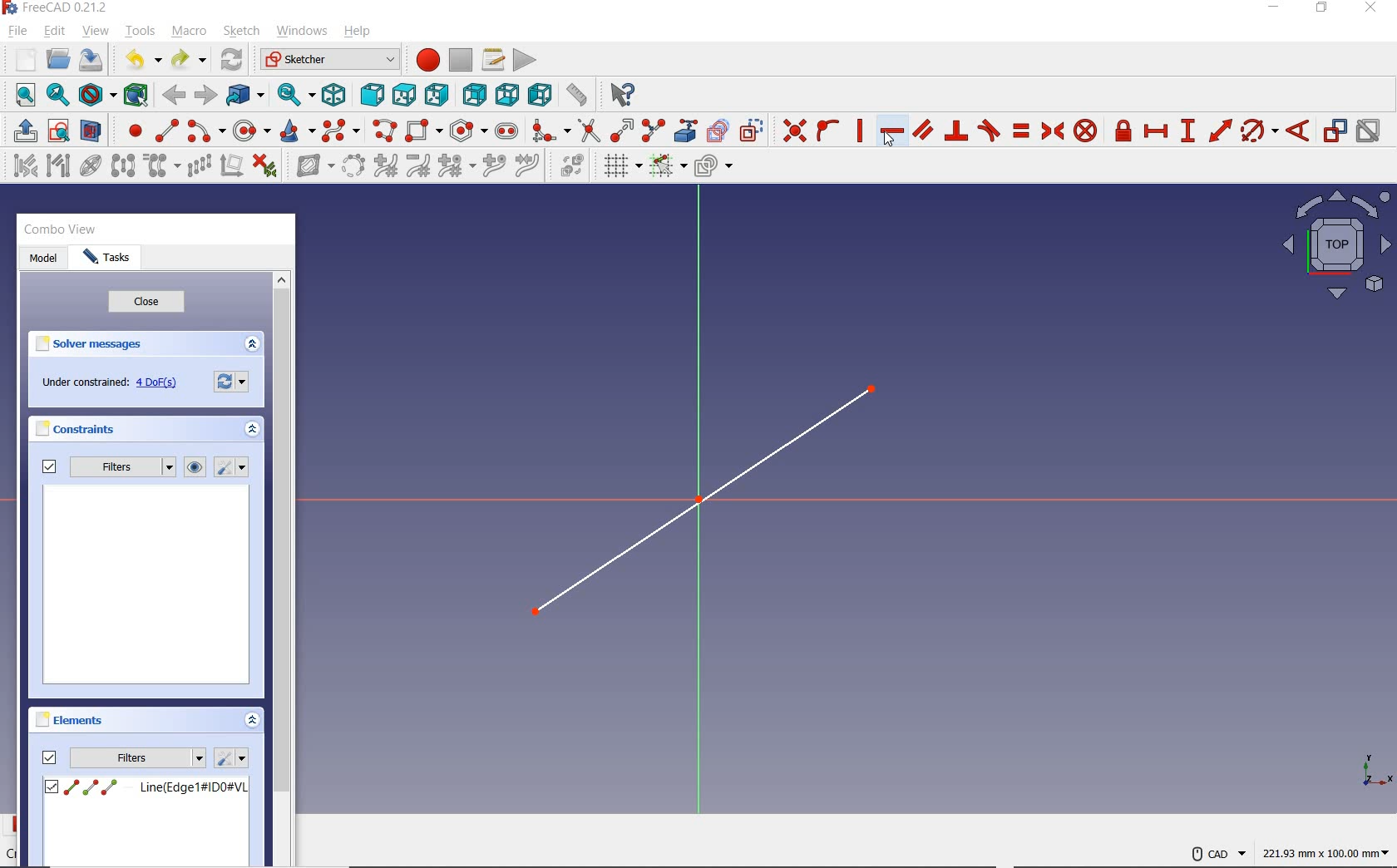 This screenshot has height=868, width=1397. Describe the element at coordinates (233, 61) in the screenshot. I see `REFRESH` at that location.